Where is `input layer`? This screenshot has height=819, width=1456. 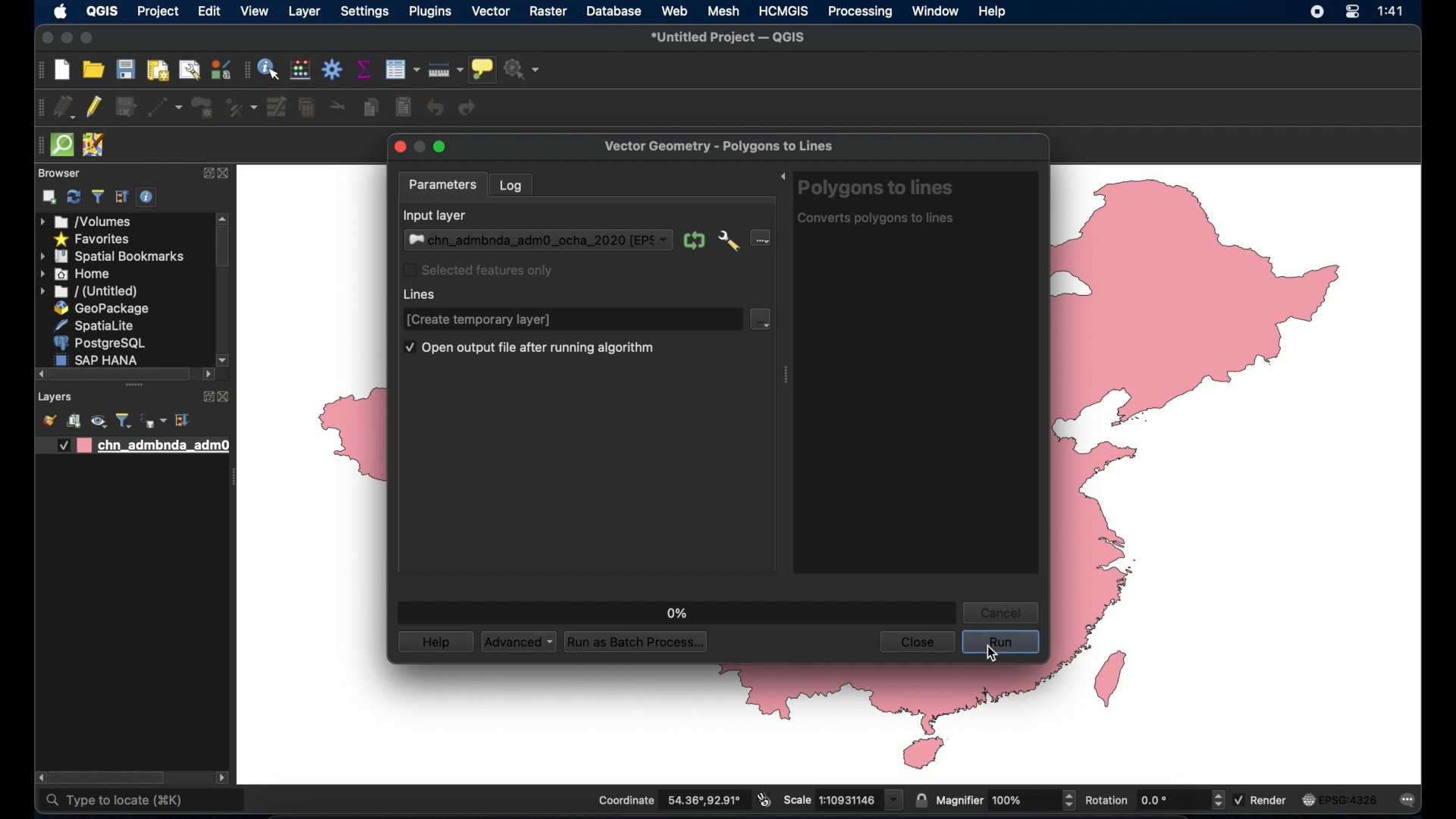 input layer is located at coordinates (536, 240).